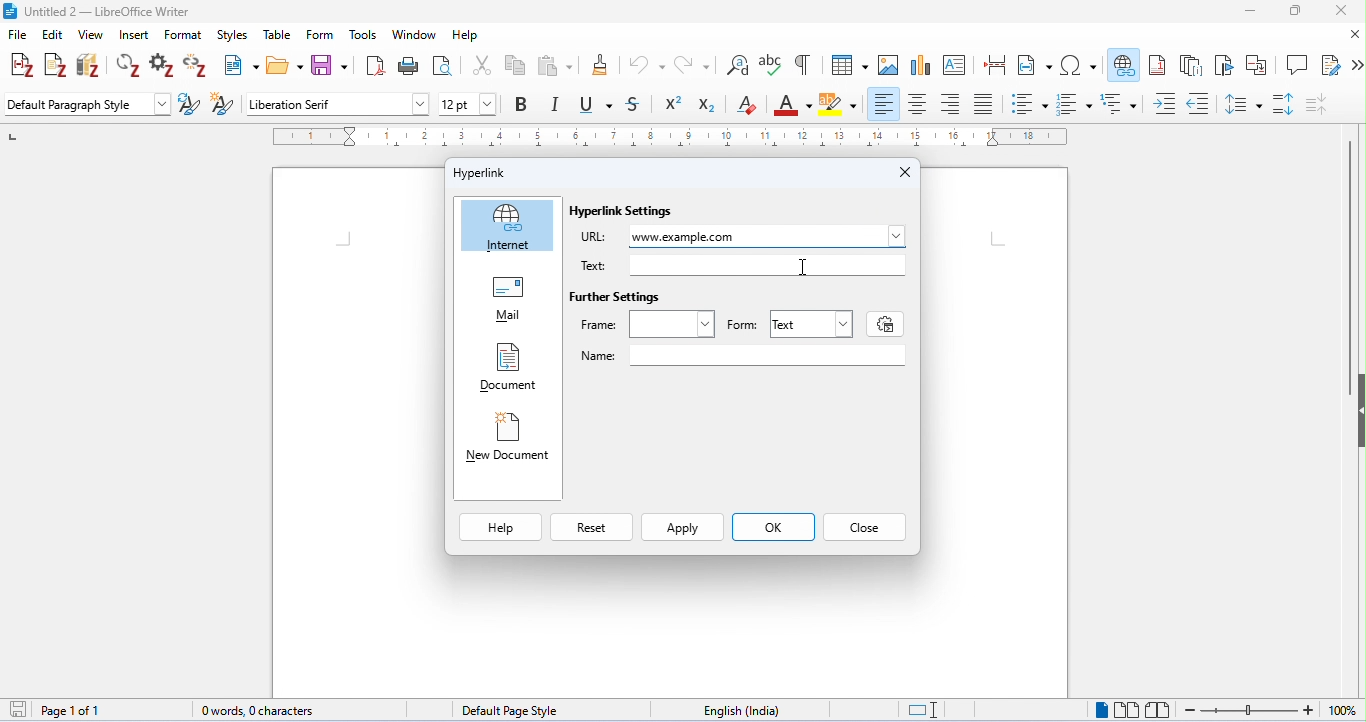 Image resolution: width=1366 pixels, height=722 pixels. I want to click on subscript, so click(709, 104).